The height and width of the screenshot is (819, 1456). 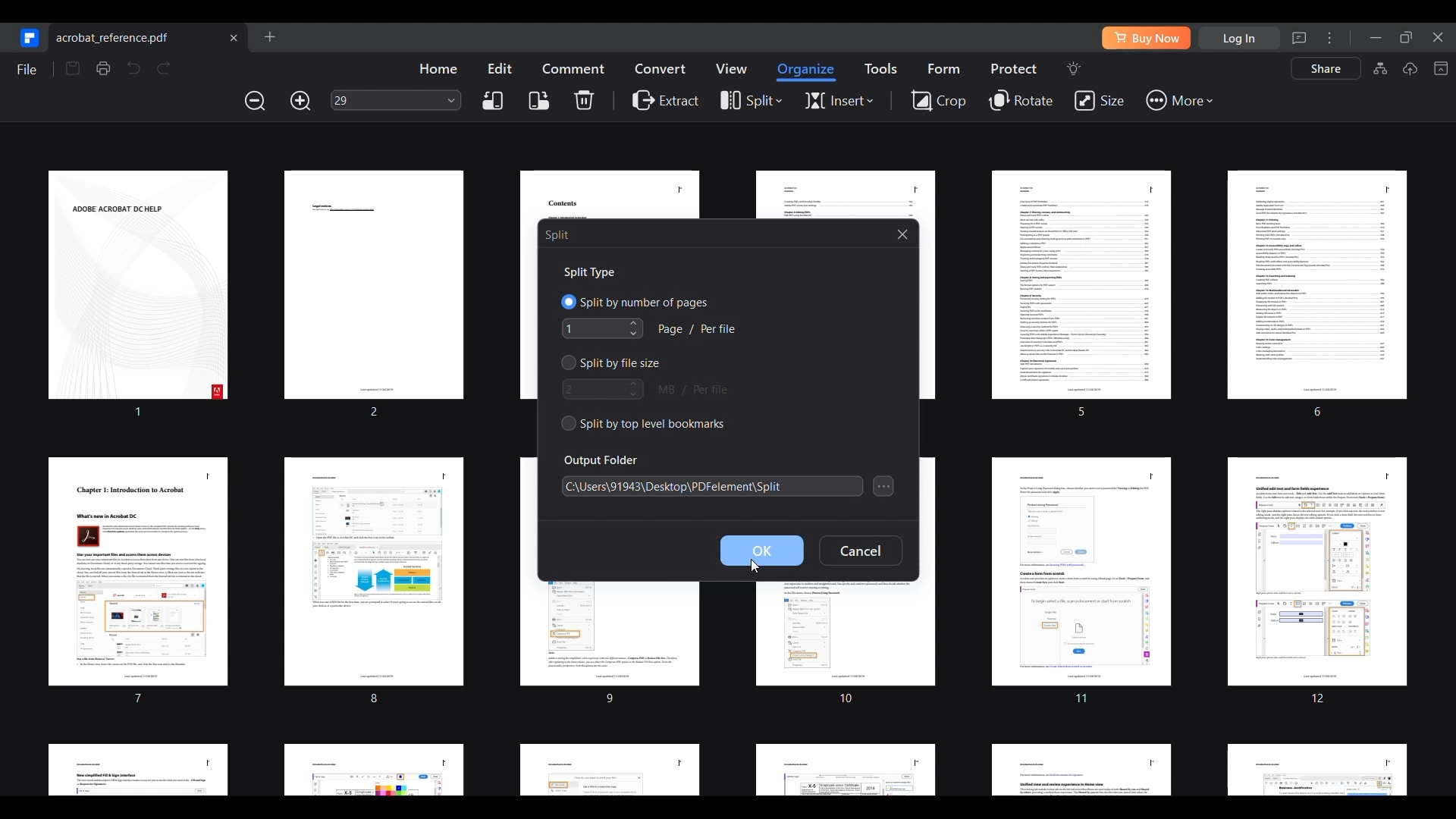 I want to click on Insert page options, so click(x=839, y=101).